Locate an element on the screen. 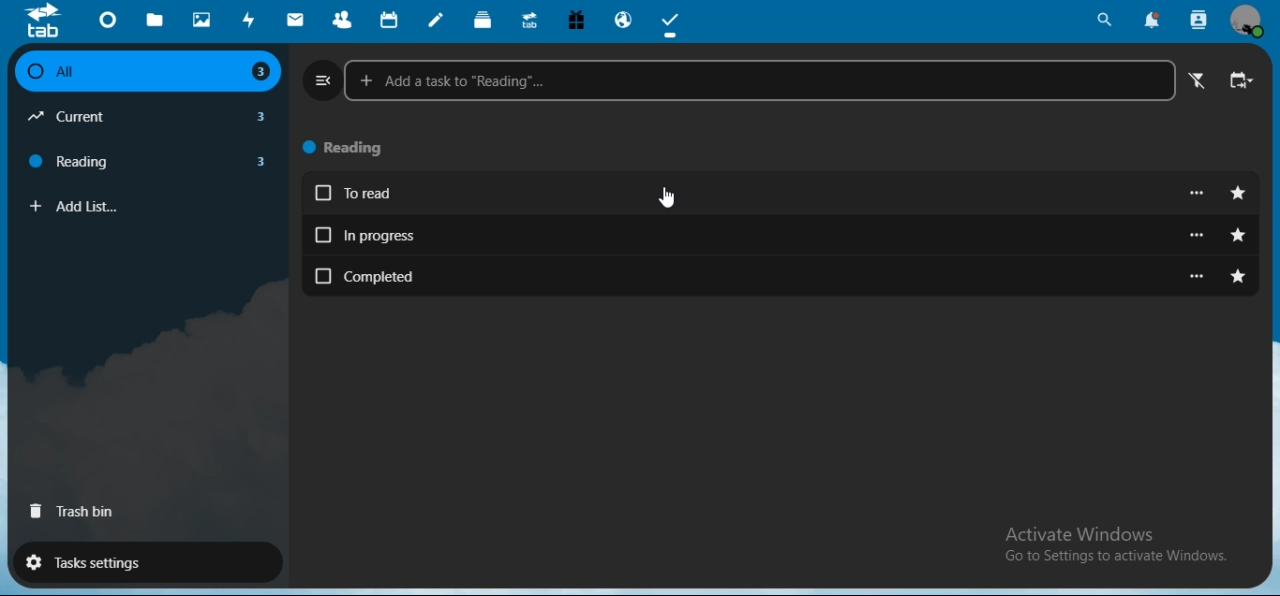  Checkbox is located at coordinates (323, 276).